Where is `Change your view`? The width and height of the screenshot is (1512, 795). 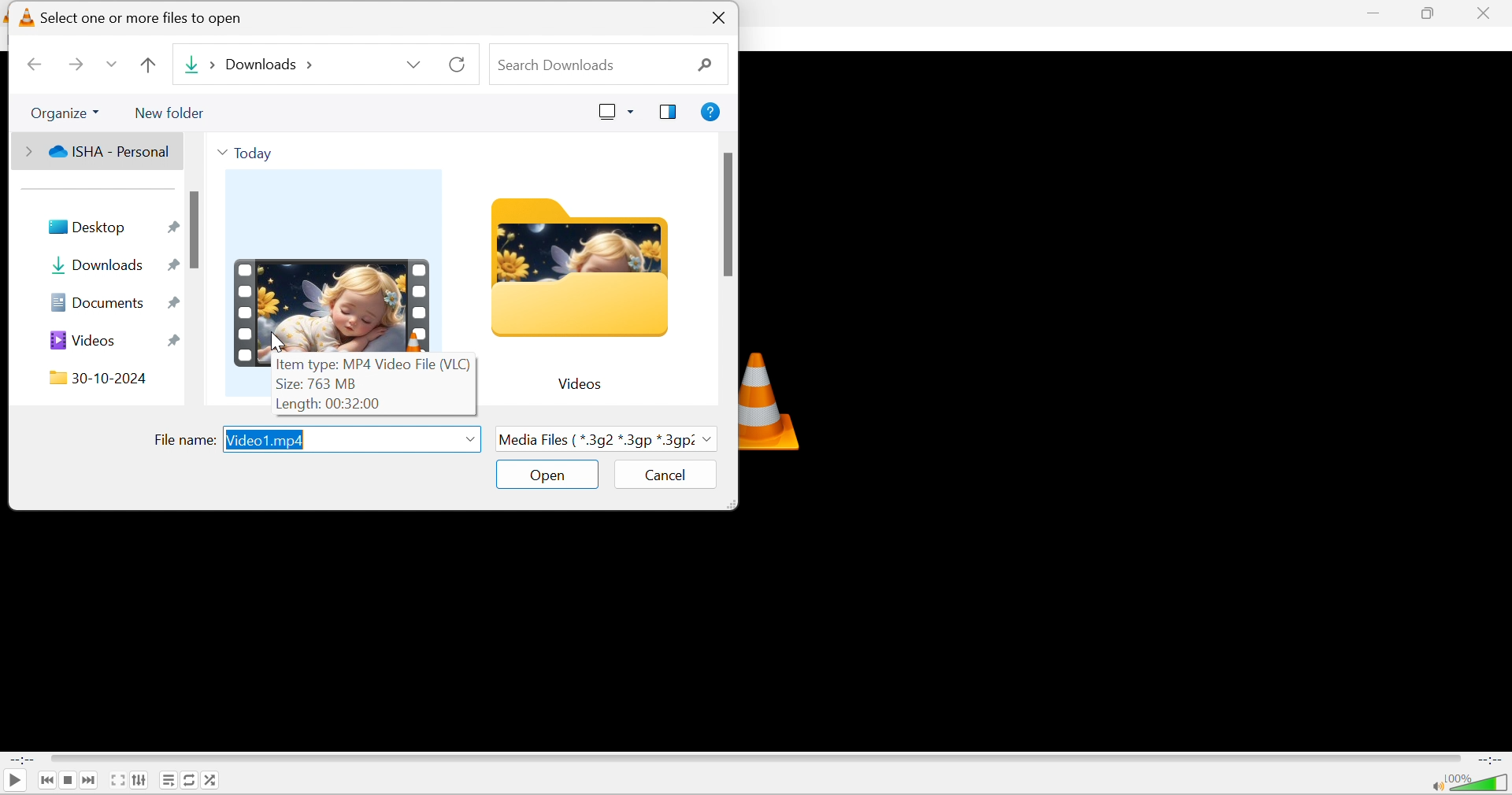 Change your view is located at coordinates (617, 113).